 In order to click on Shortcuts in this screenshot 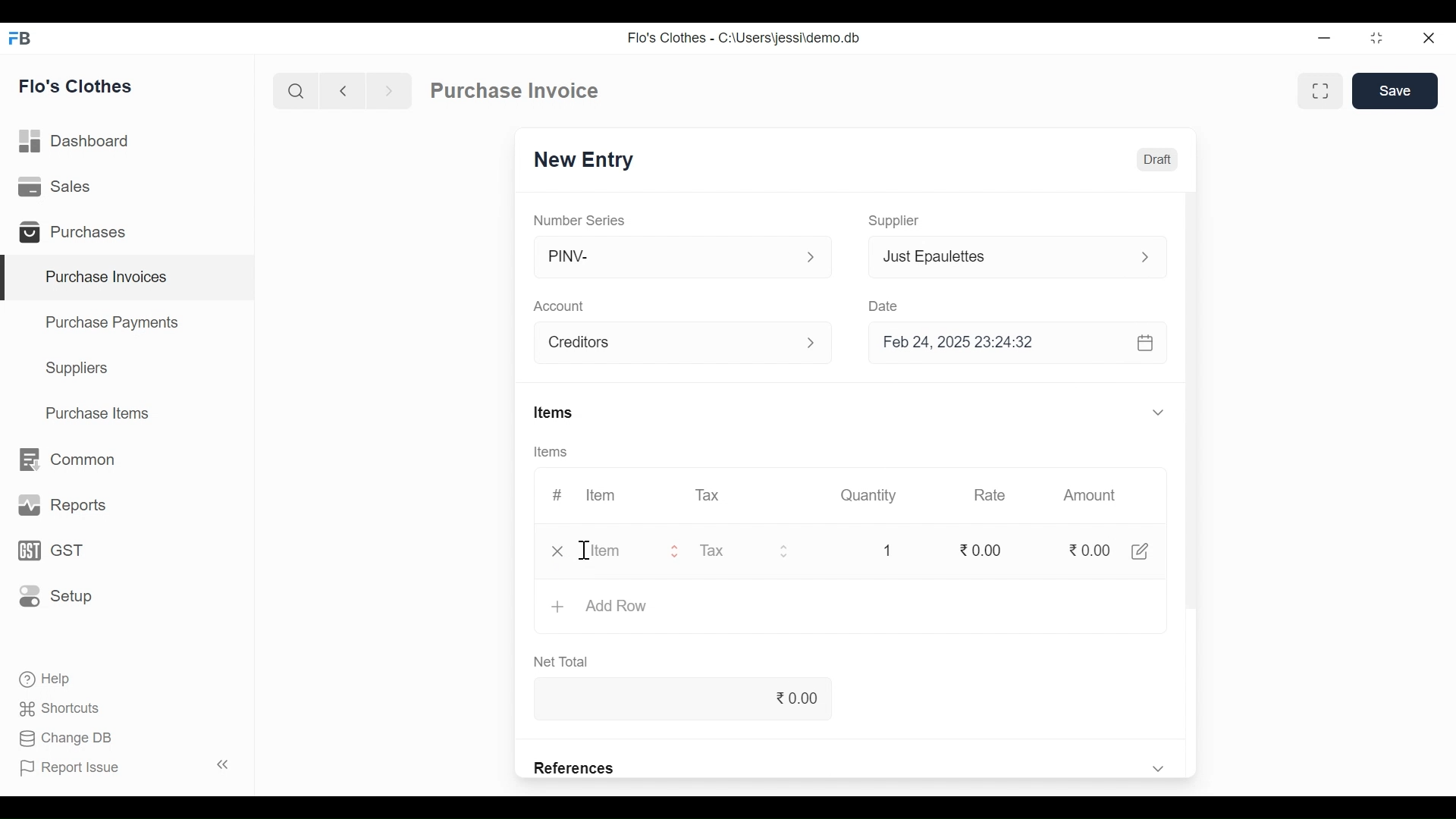, I will do `click(60, 710)`.